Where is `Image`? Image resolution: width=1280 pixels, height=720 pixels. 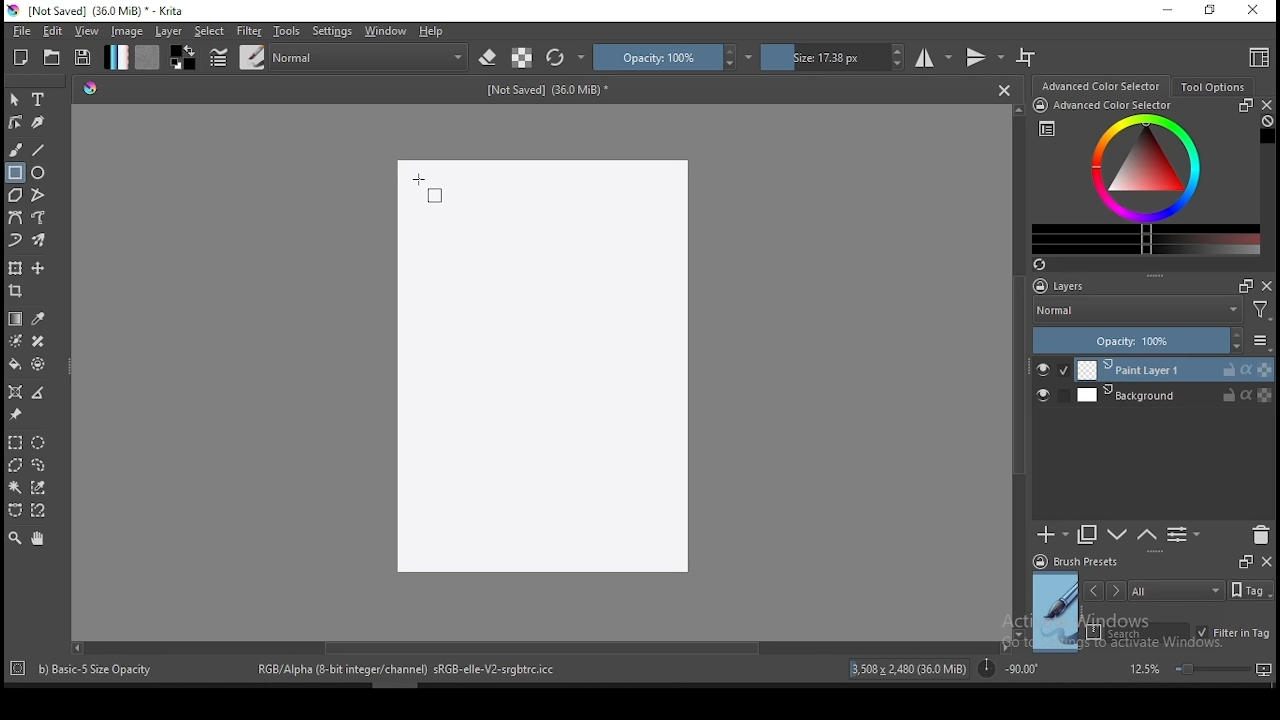 Image is located at coordinates (541, 368).